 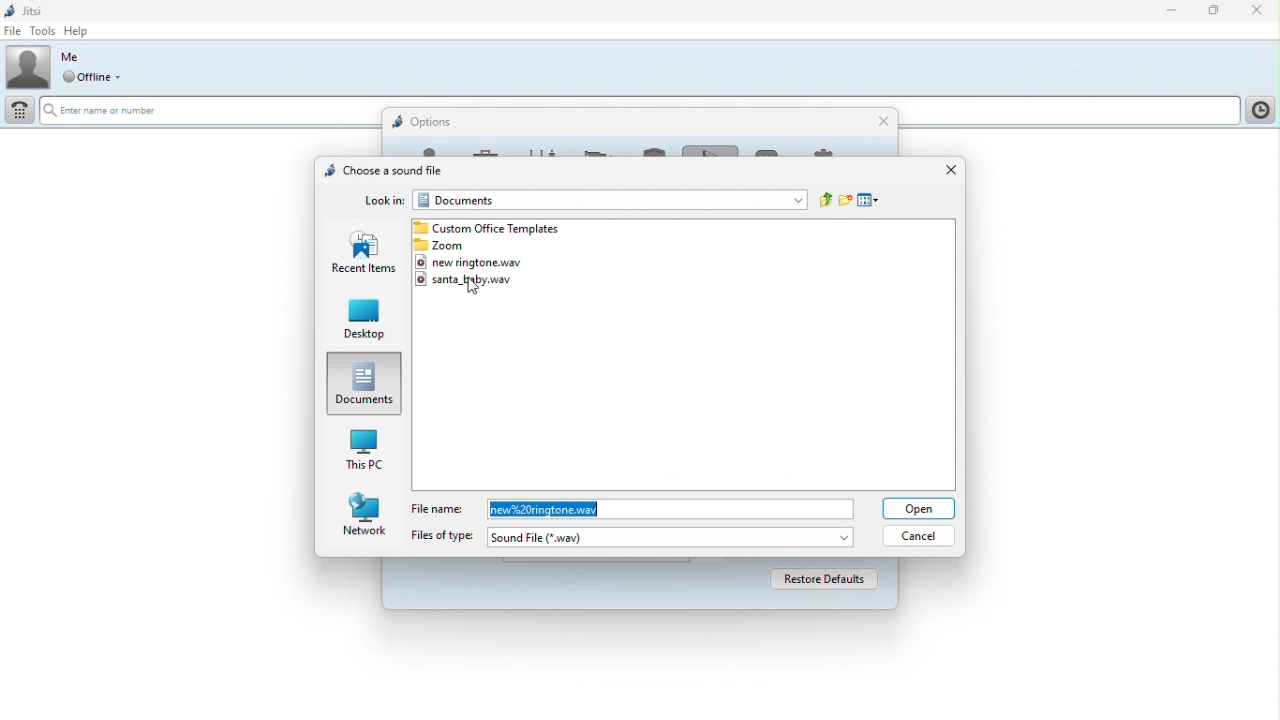 What do you see at coordinates (42, 31) in the screenshot?
I see `Tools` at bounding box center [42, 31].